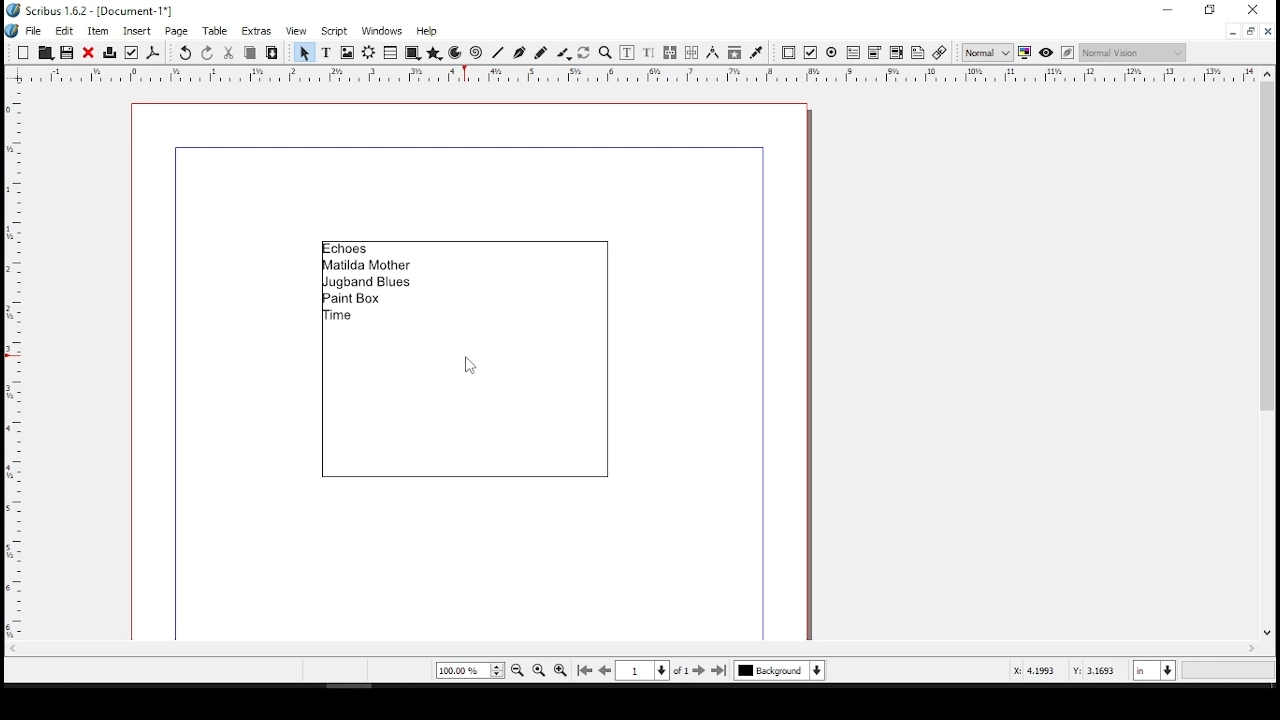  Describe the element at coordinates (456, 53) in the screenshot. I see `arc` at that location.